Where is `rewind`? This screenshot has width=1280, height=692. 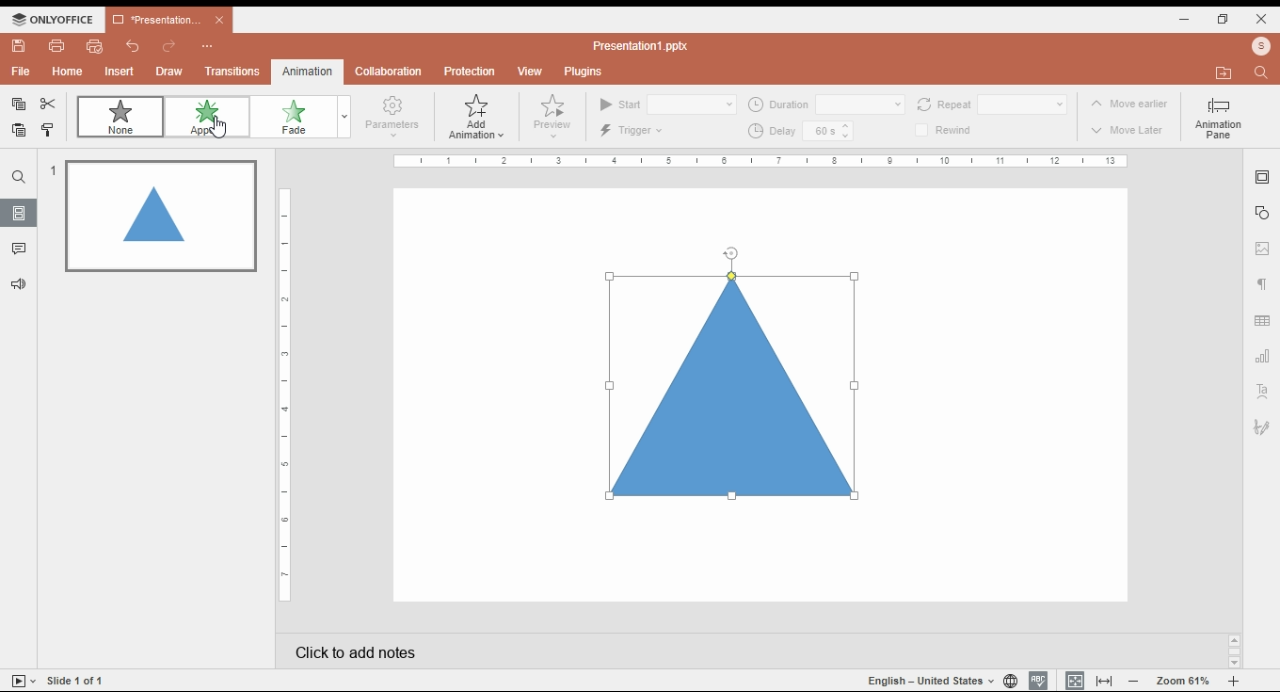 rewind is located at coordinates (959, 130).